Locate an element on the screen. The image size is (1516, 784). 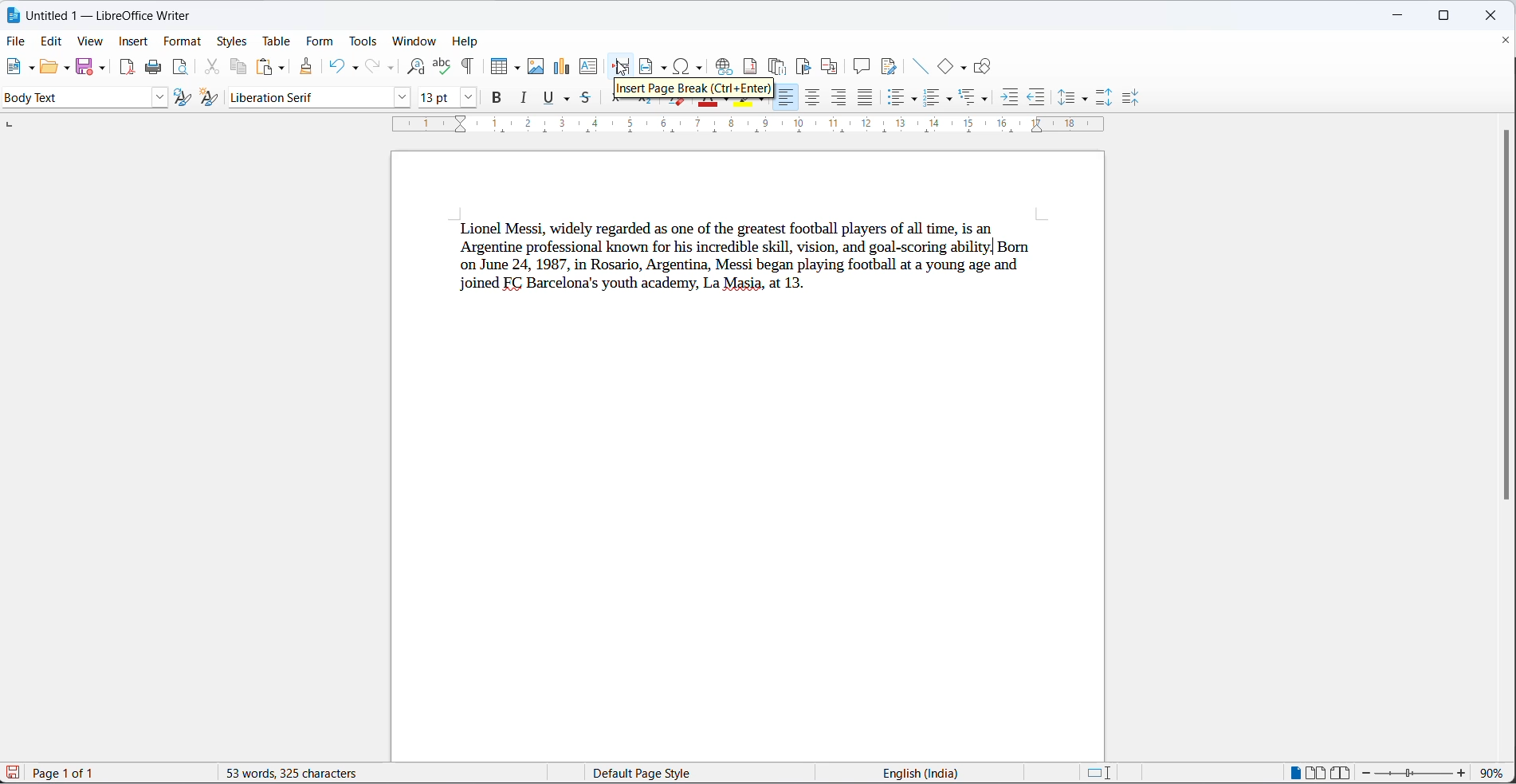
paste options is located at coordinates (279, 66).